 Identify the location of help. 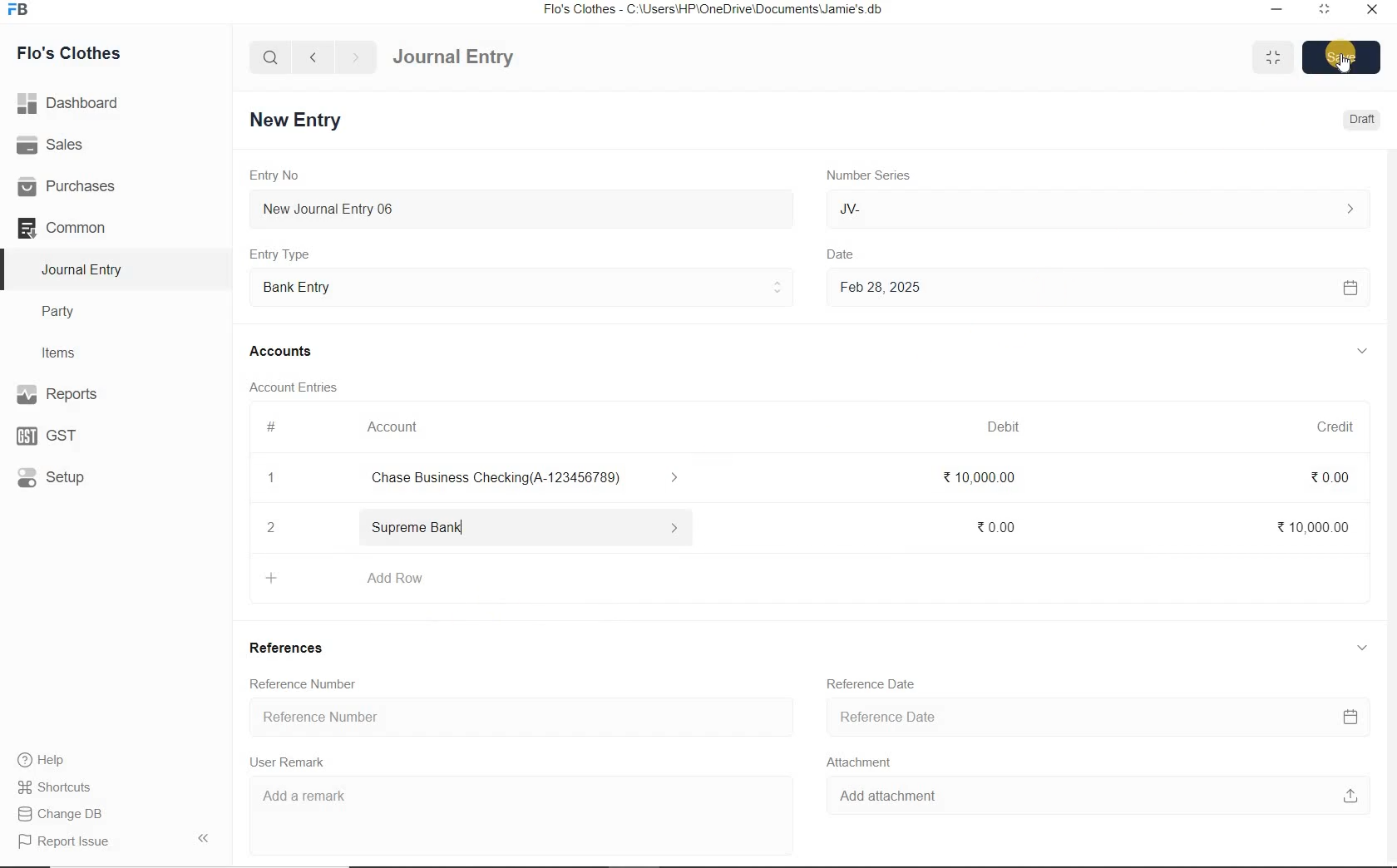
(42, 760).